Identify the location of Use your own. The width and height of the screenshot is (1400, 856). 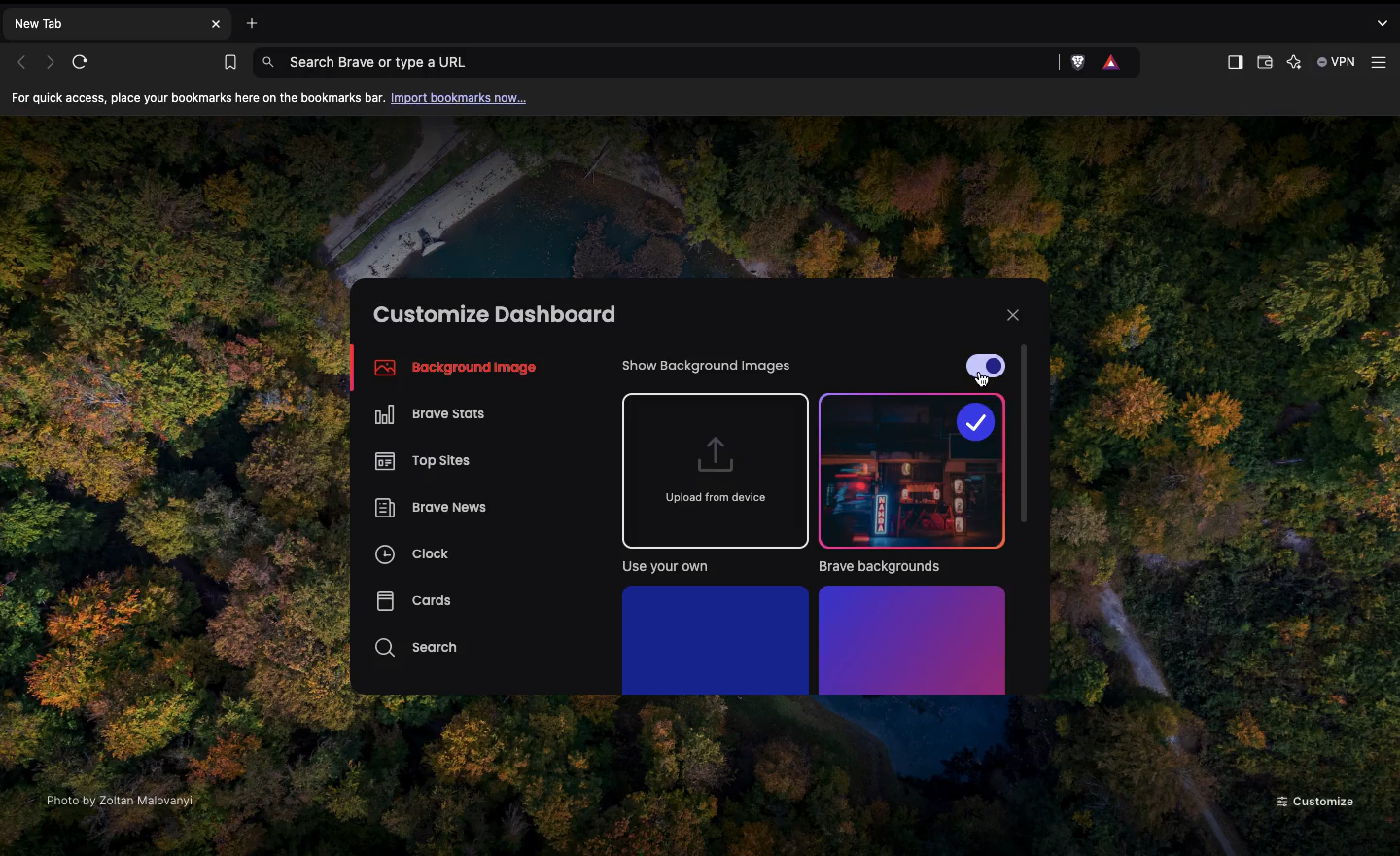
(670, 568).